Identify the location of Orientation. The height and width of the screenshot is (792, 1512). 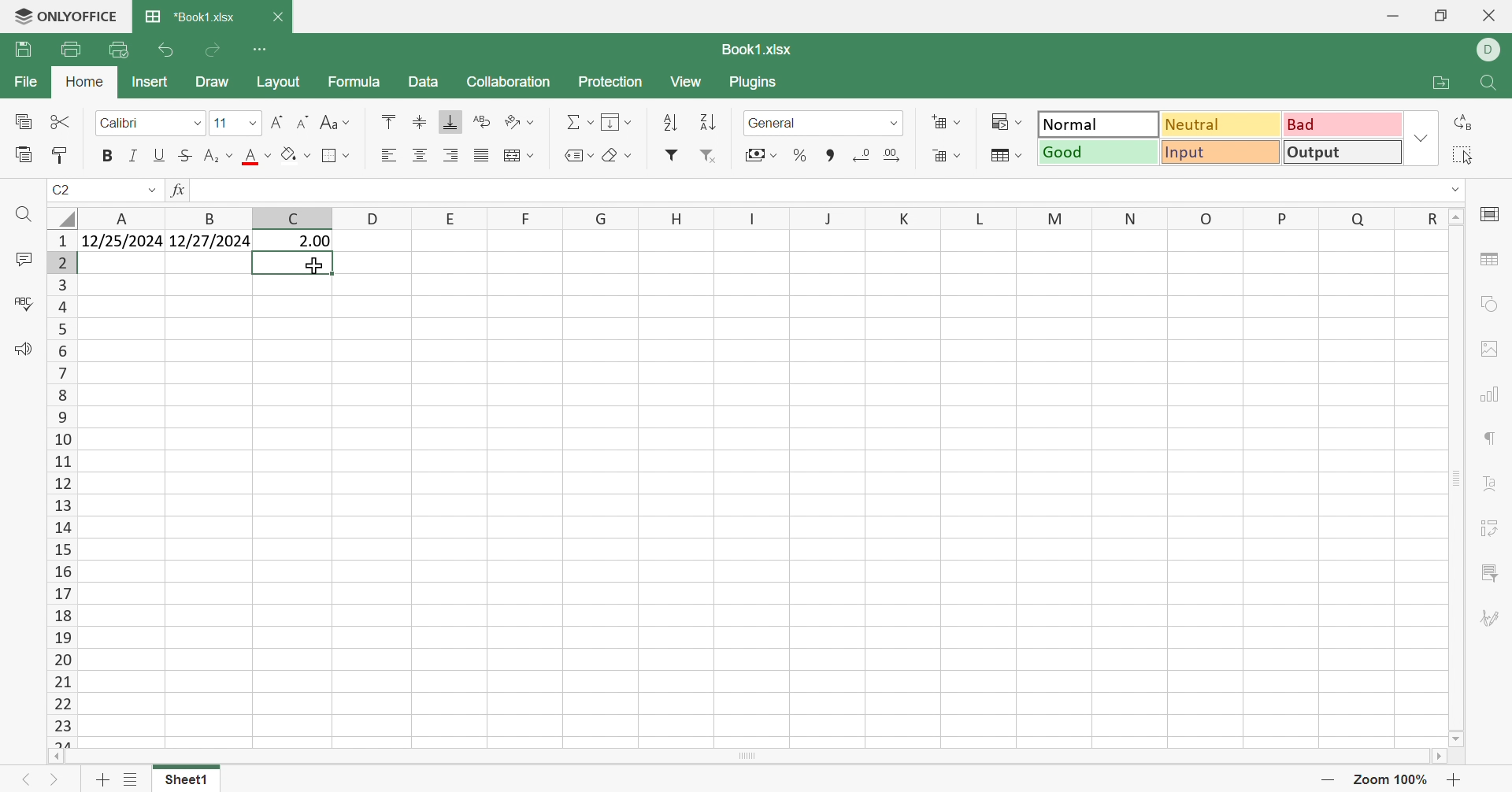
(521, 120).